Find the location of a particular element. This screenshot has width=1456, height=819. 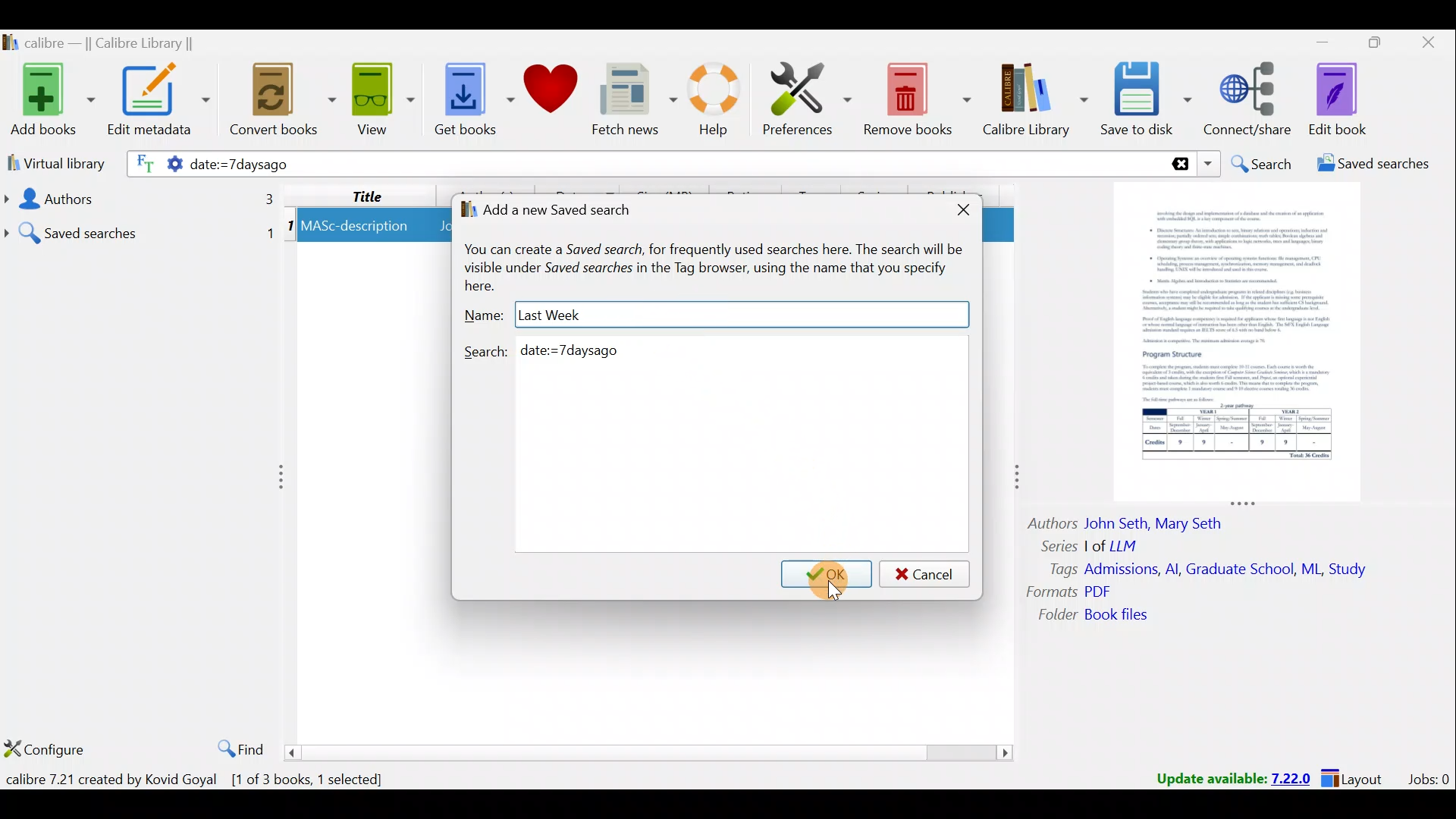

Cancel is located at coordinates (927, 573).